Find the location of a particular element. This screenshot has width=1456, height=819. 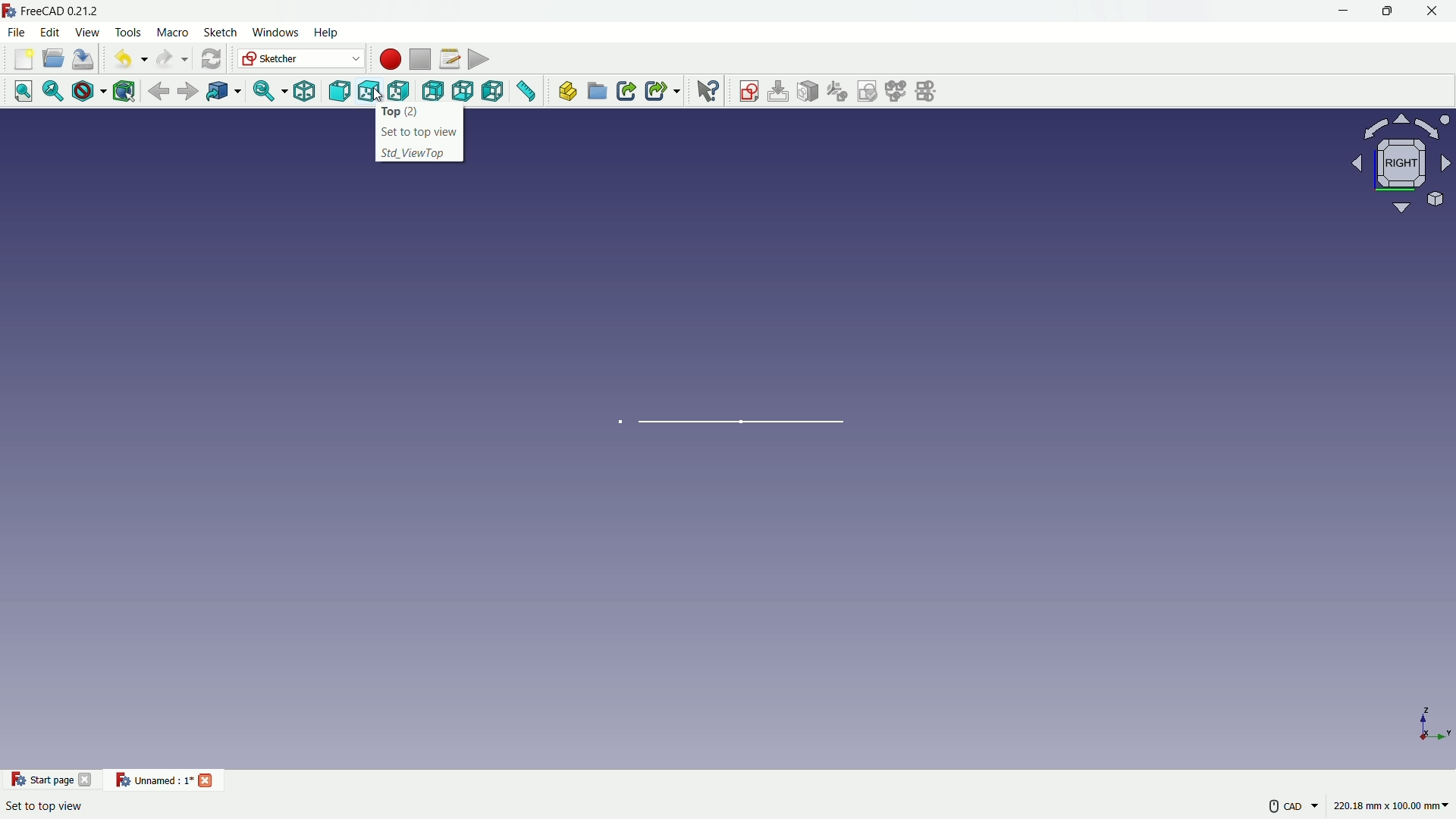

make link is located at coordinates (626, 93).